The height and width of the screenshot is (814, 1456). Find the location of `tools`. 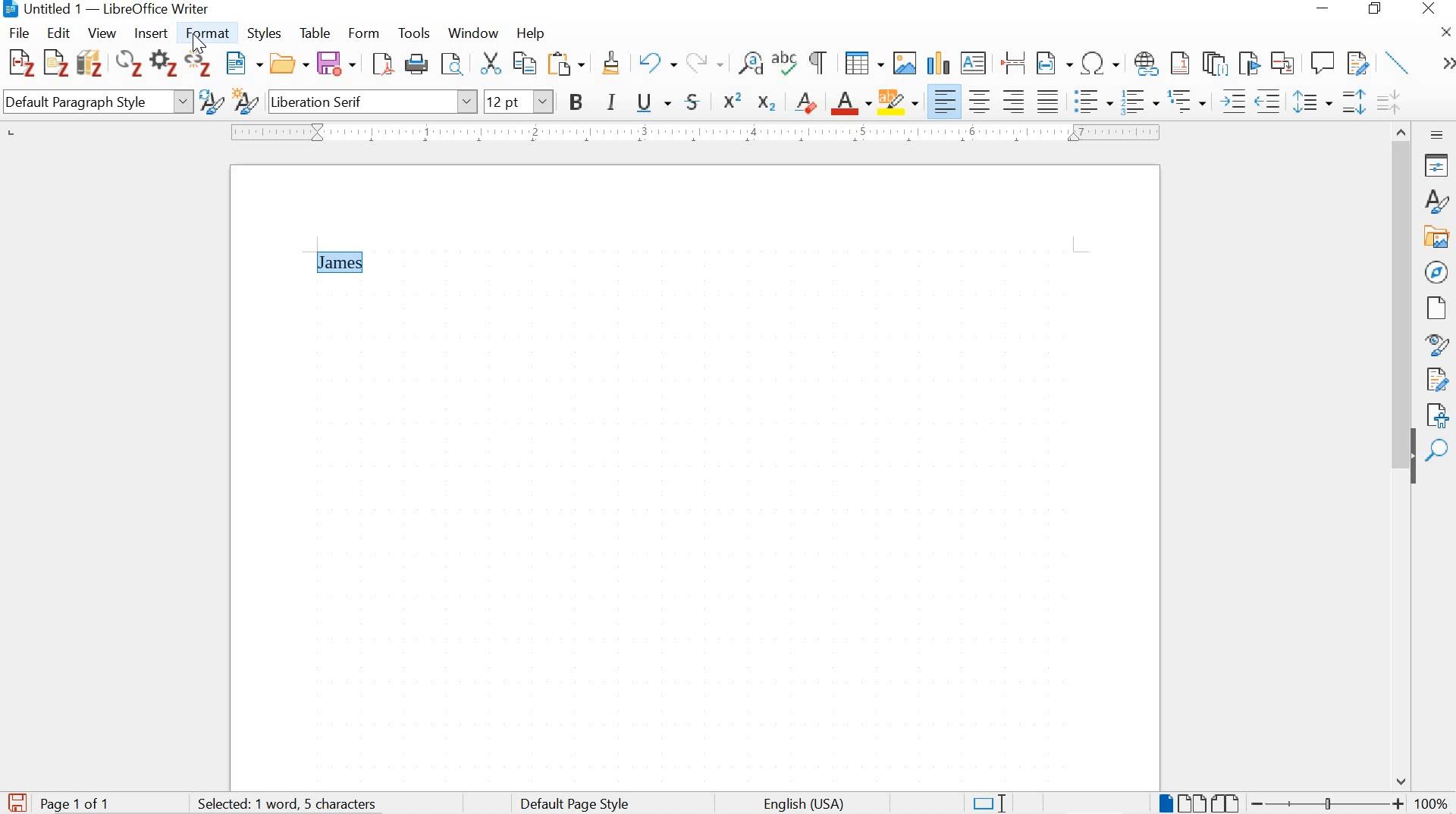

tools is located at coordinates (415, 33).